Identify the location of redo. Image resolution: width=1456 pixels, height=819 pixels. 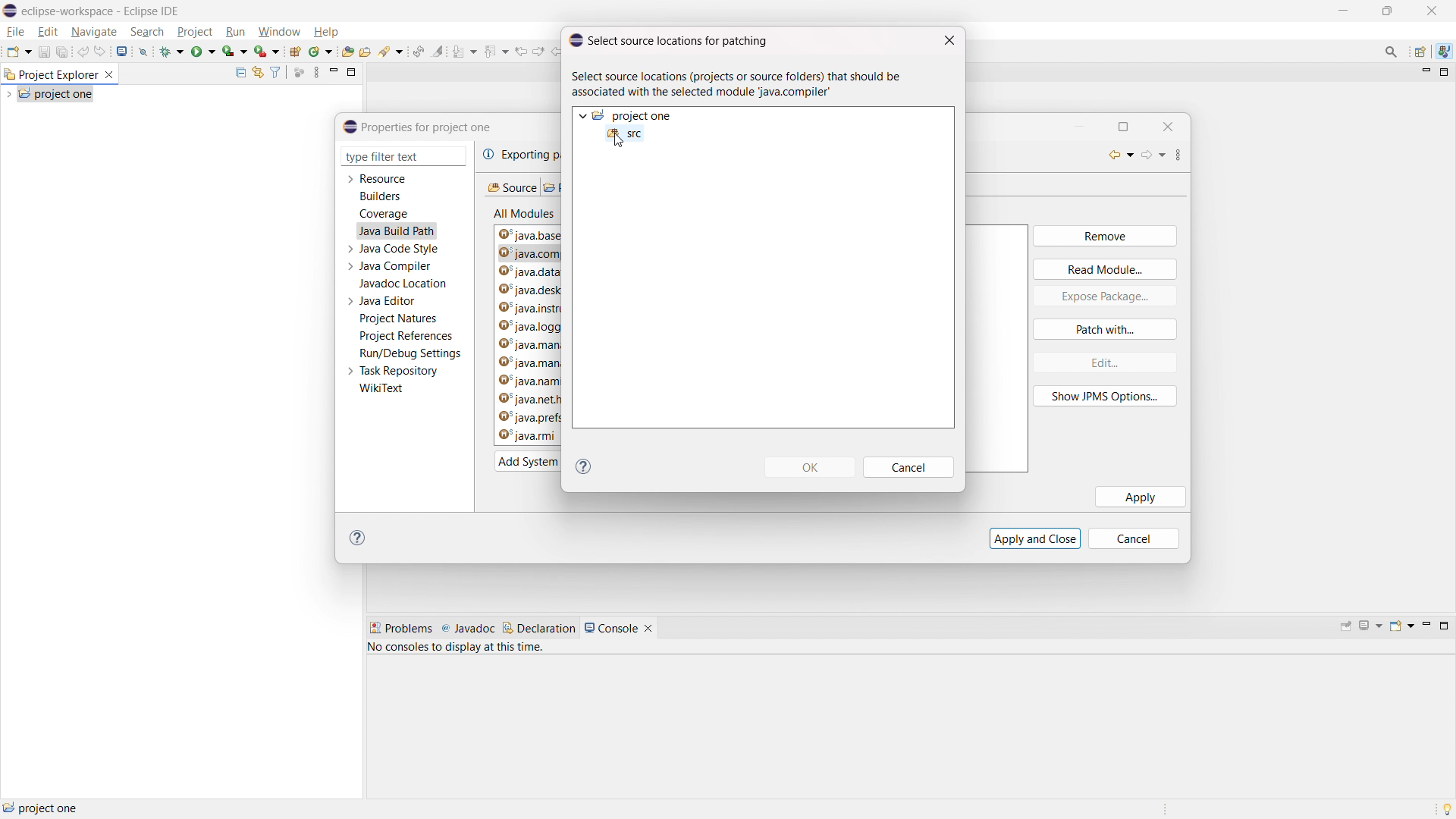
(101, 51).